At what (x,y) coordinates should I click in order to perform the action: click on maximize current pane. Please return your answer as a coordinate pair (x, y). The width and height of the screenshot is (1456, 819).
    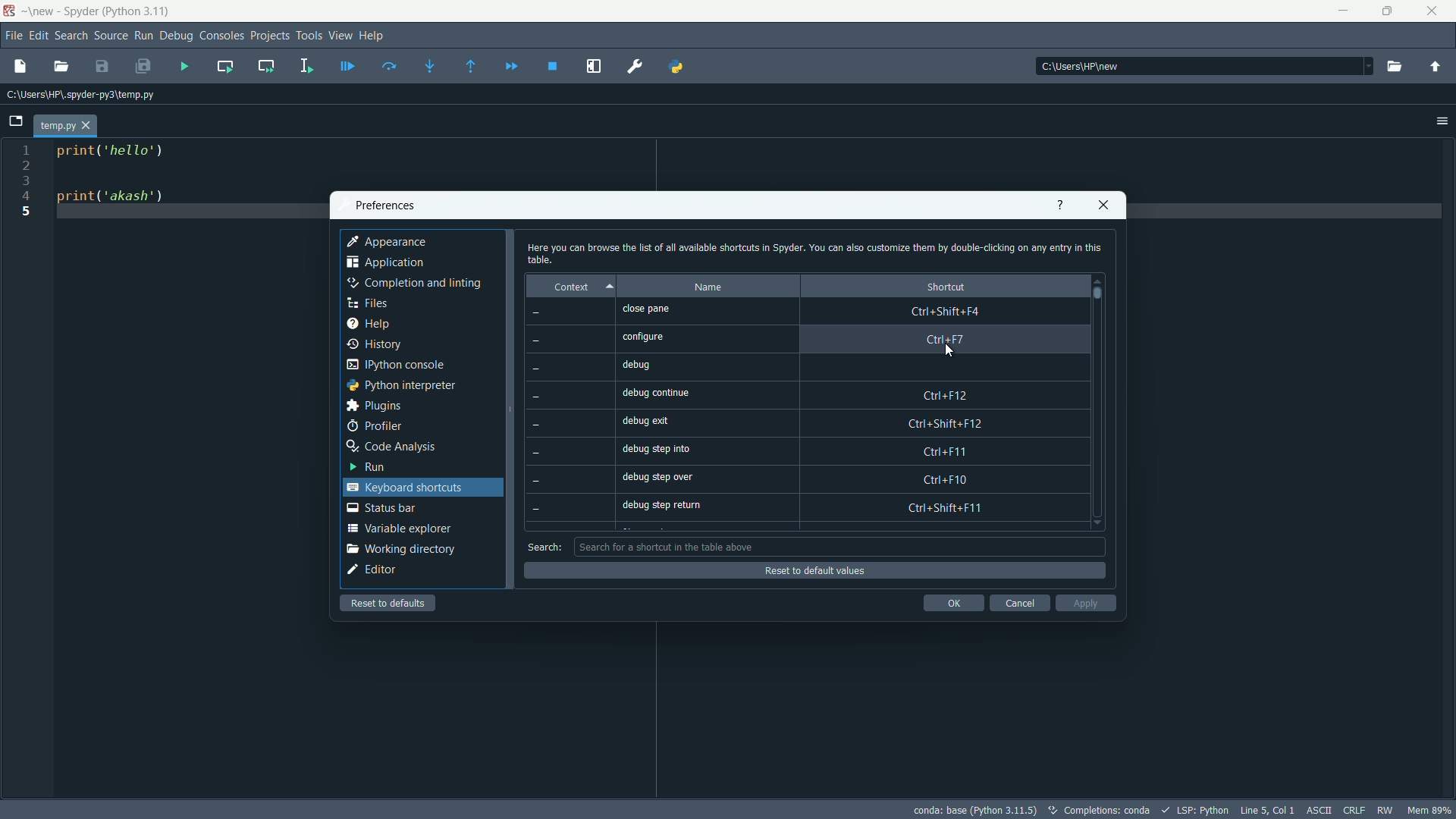
    Looking at the image, I should click on (594, 67).